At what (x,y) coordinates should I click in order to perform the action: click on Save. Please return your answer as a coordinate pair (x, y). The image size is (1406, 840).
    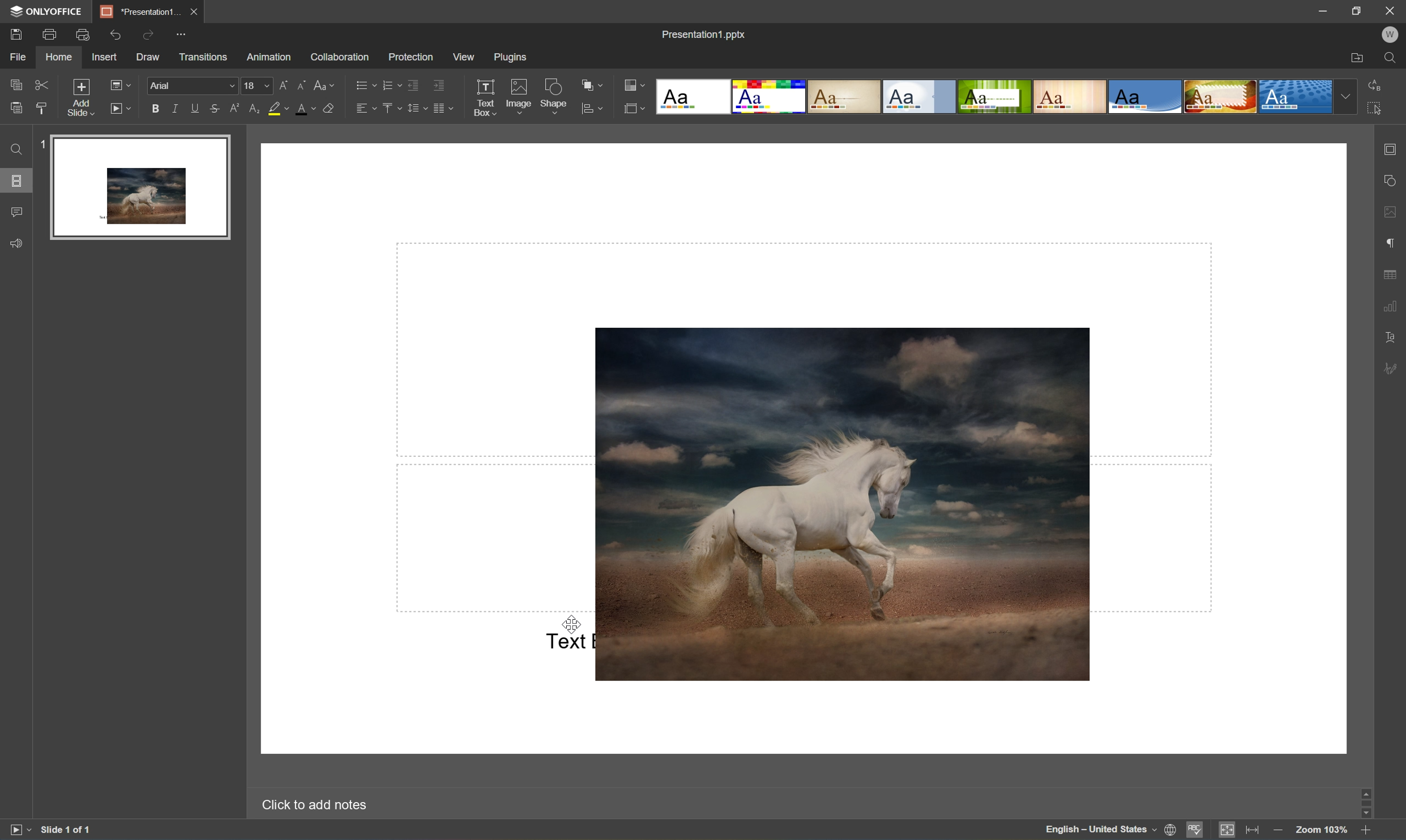
    Looking at the image, I should click on (16, 35).